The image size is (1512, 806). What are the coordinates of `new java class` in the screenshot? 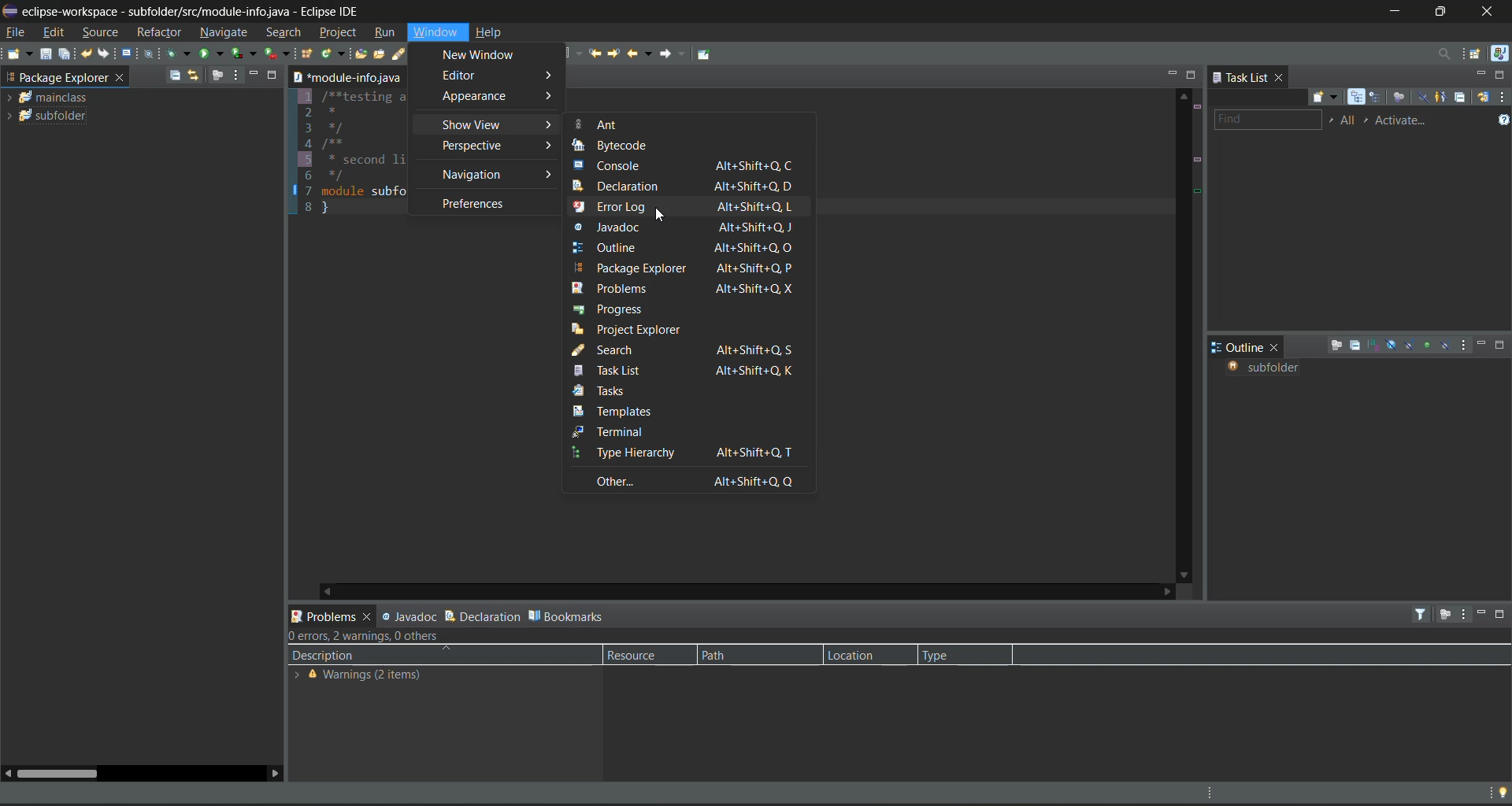 It's located at (332, 53).